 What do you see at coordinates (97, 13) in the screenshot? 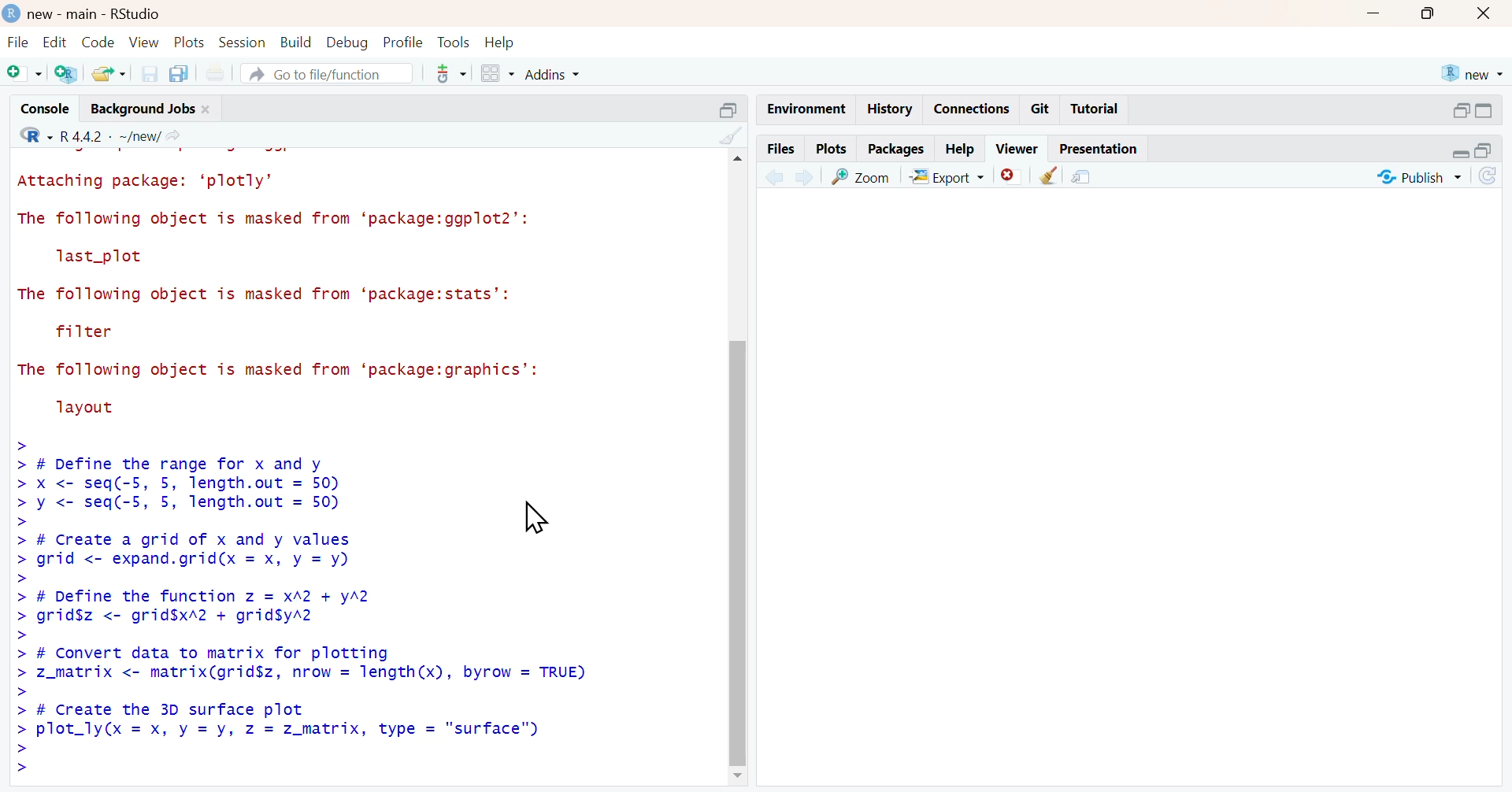
I see `new-main-RStudio` at bounding box center [97, 13].